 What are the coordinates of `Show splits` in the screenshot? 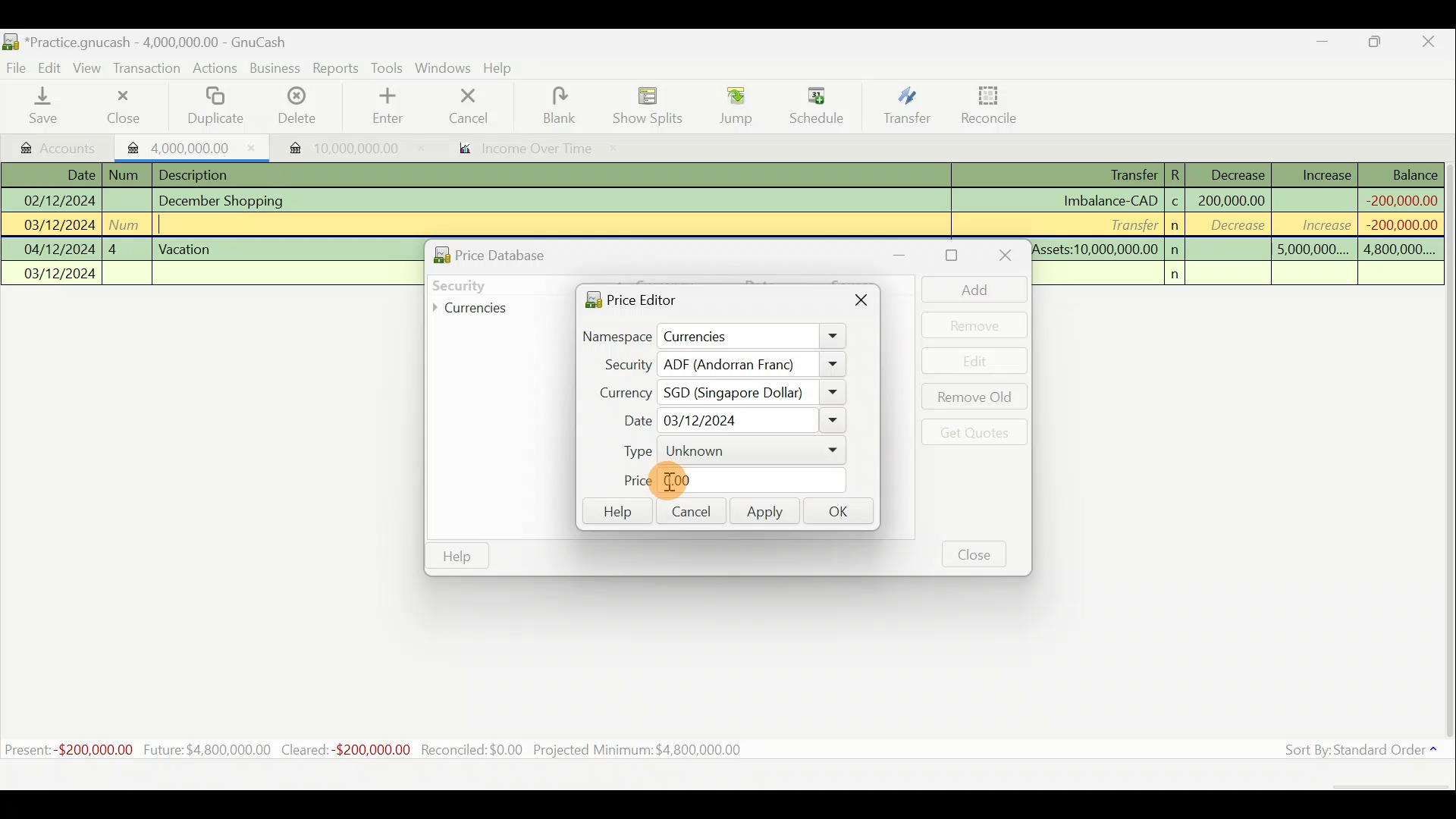 It's located at (649, 105).